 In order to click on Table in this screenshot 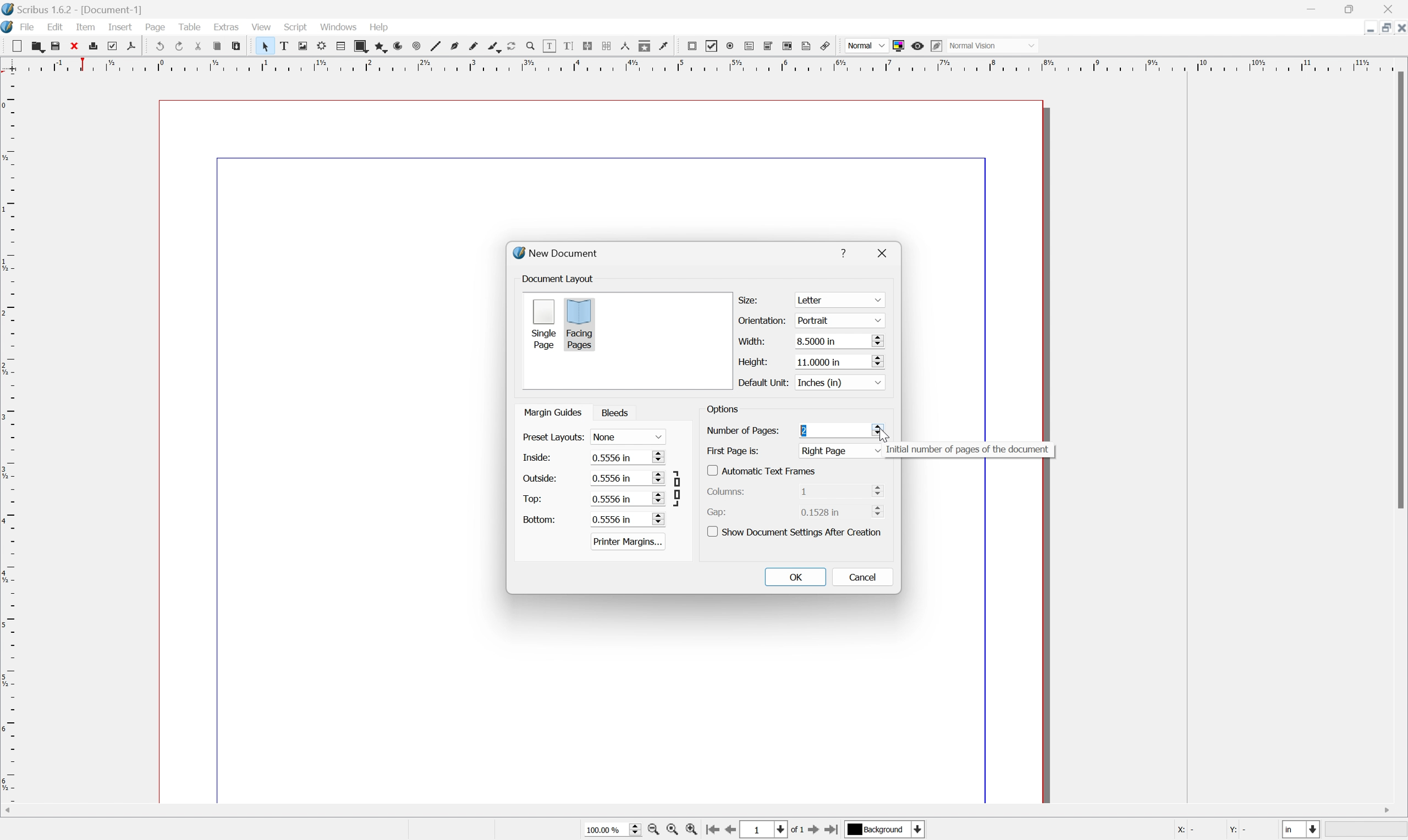, I will do `click(338, 46)`.